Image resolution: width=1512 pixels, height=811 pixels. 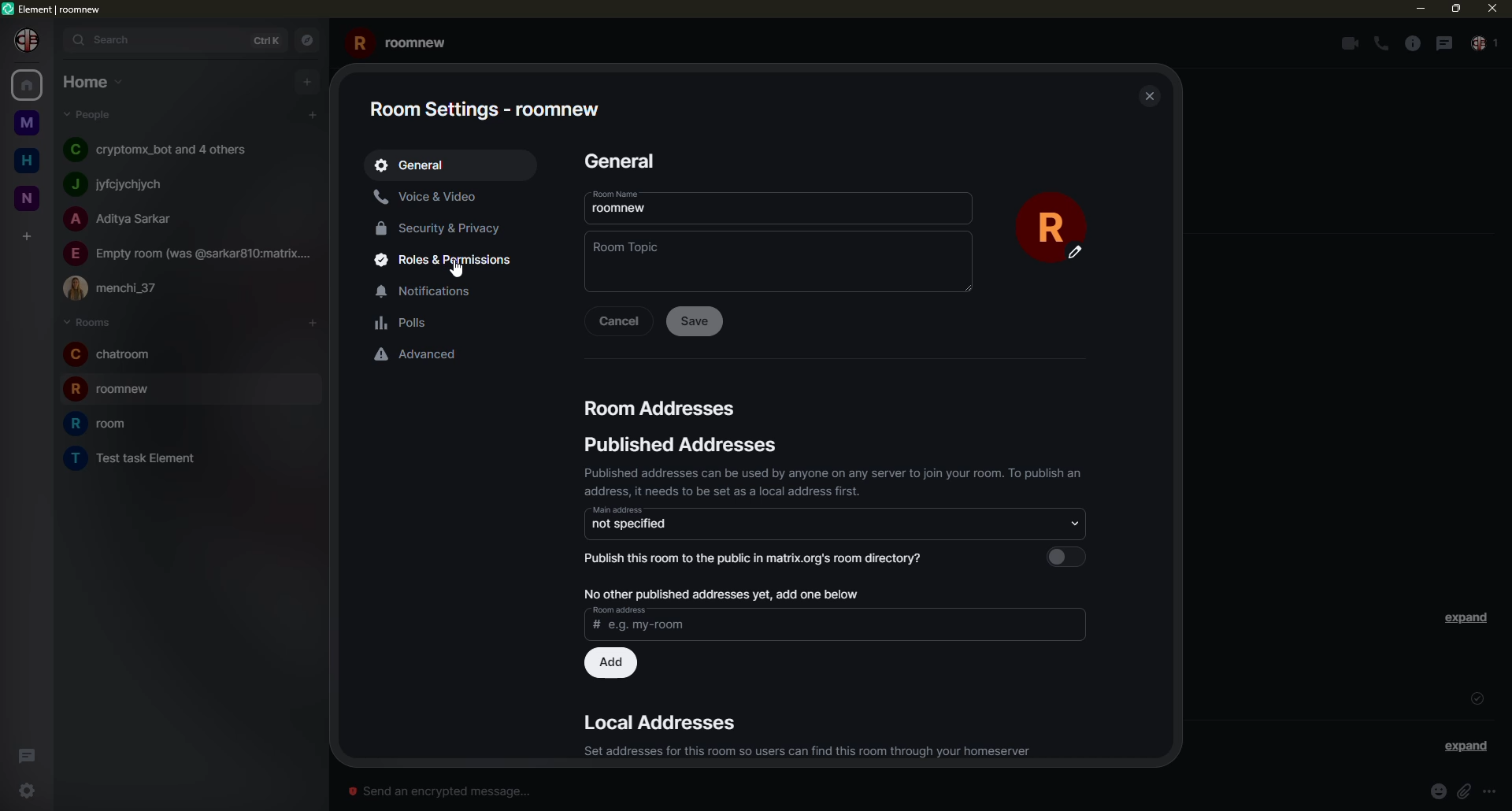 I want to click on info, so click(x=1496, y=791).